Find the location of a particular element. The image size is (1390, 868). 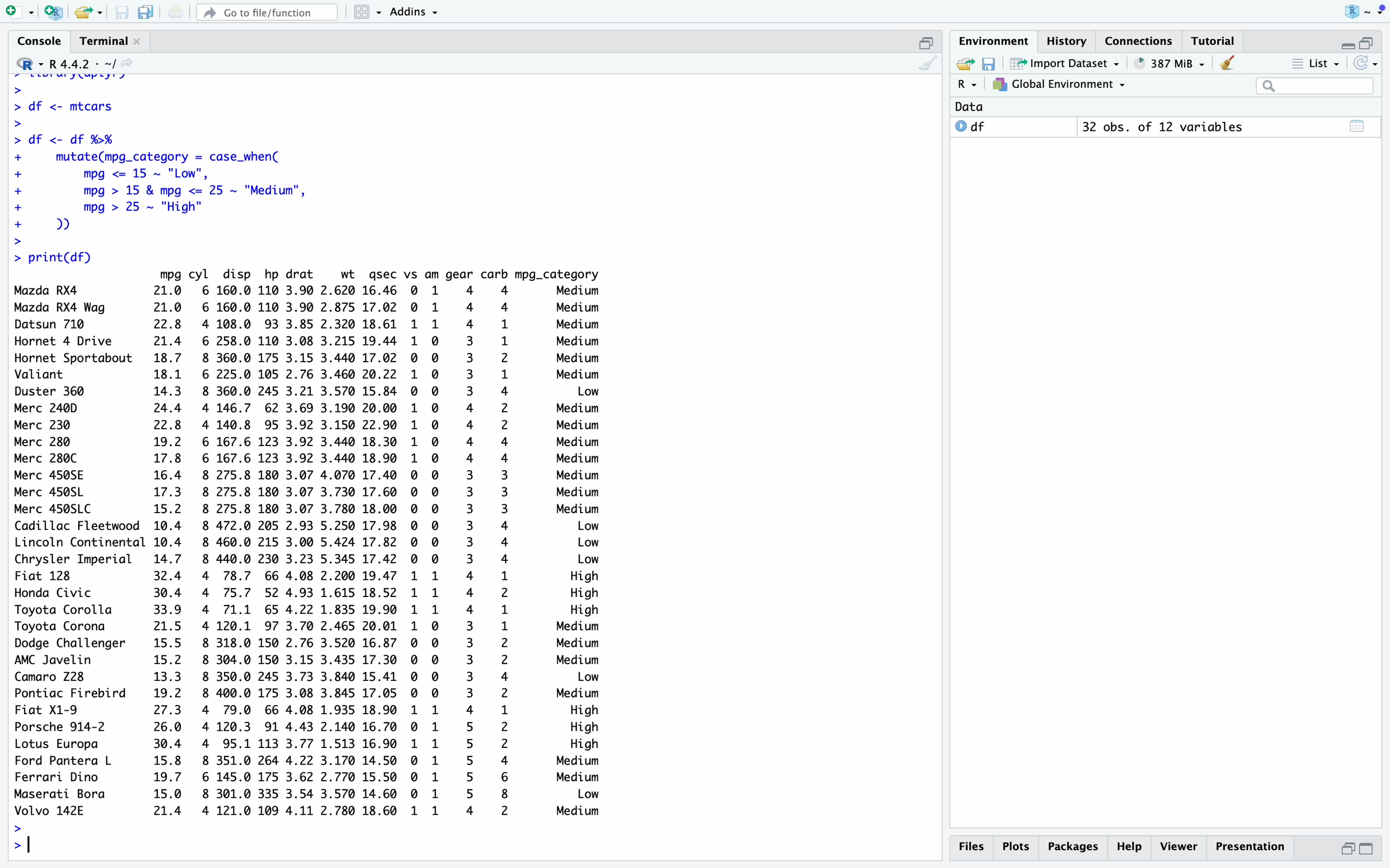

go to file/function is located at coordinates (269, 13).